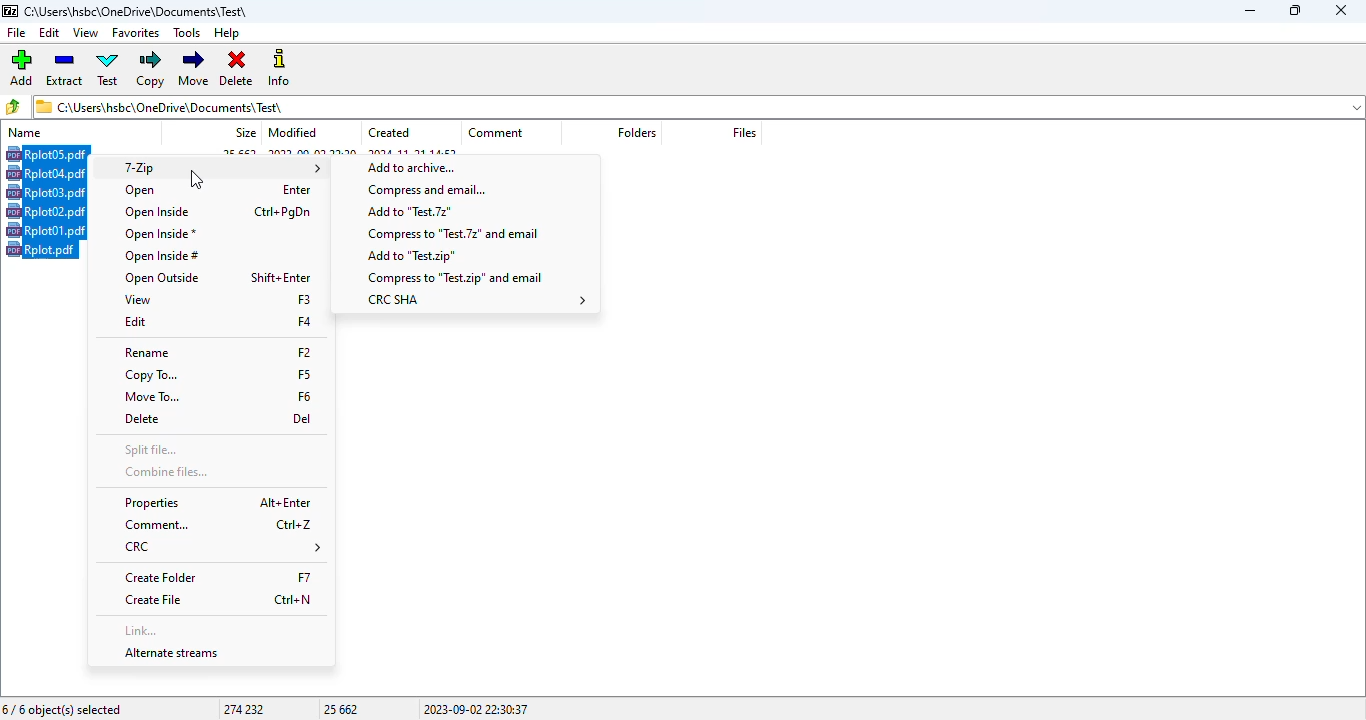 The image size is (1366, 720). I want to click on add, so click(22, 67).